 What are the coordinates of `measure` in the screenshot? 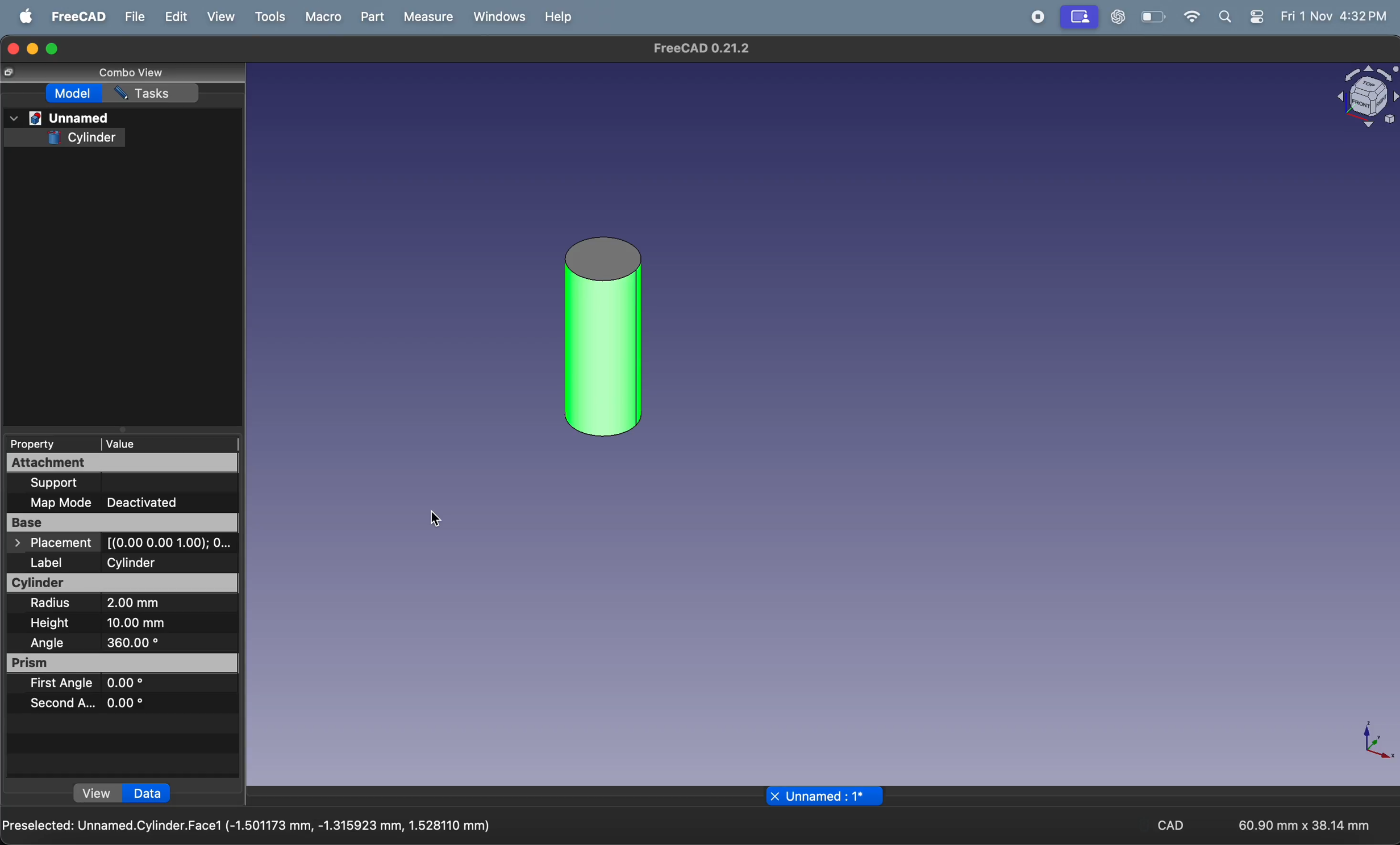 It's located at (427, 16).